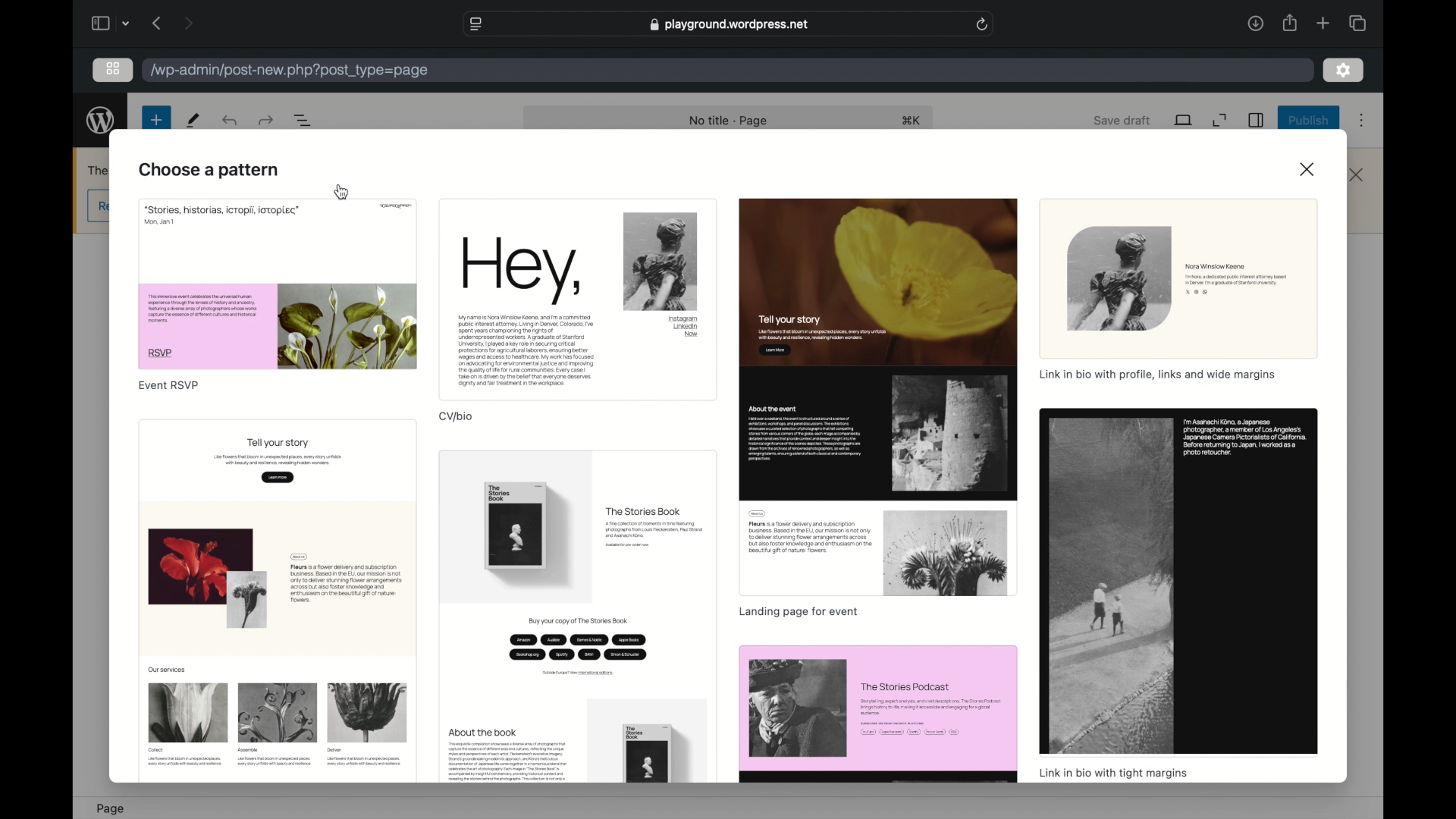  Describe the element at coordinates (194, 121) in the screenshot. I see `new page` at that location.